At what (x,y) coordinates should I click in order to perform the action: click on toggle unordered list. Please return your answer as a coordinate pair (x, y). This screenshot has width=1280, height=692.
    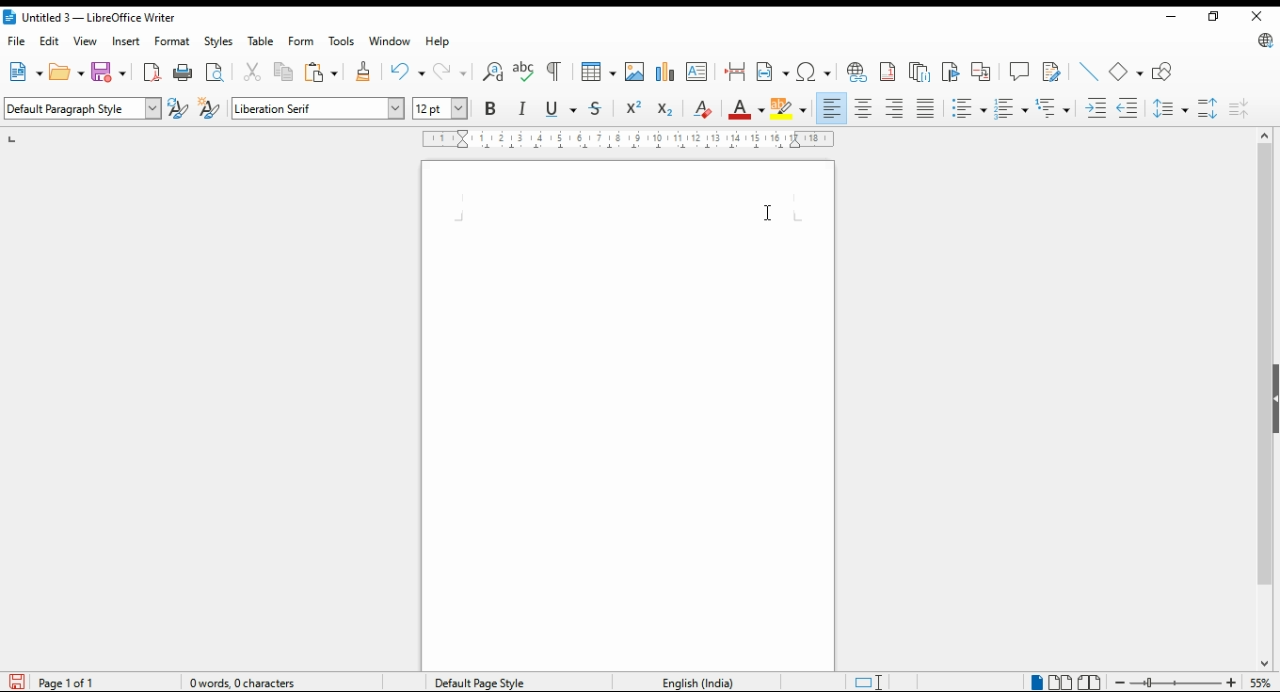
    Looking at the image, I should click on (968, 109).